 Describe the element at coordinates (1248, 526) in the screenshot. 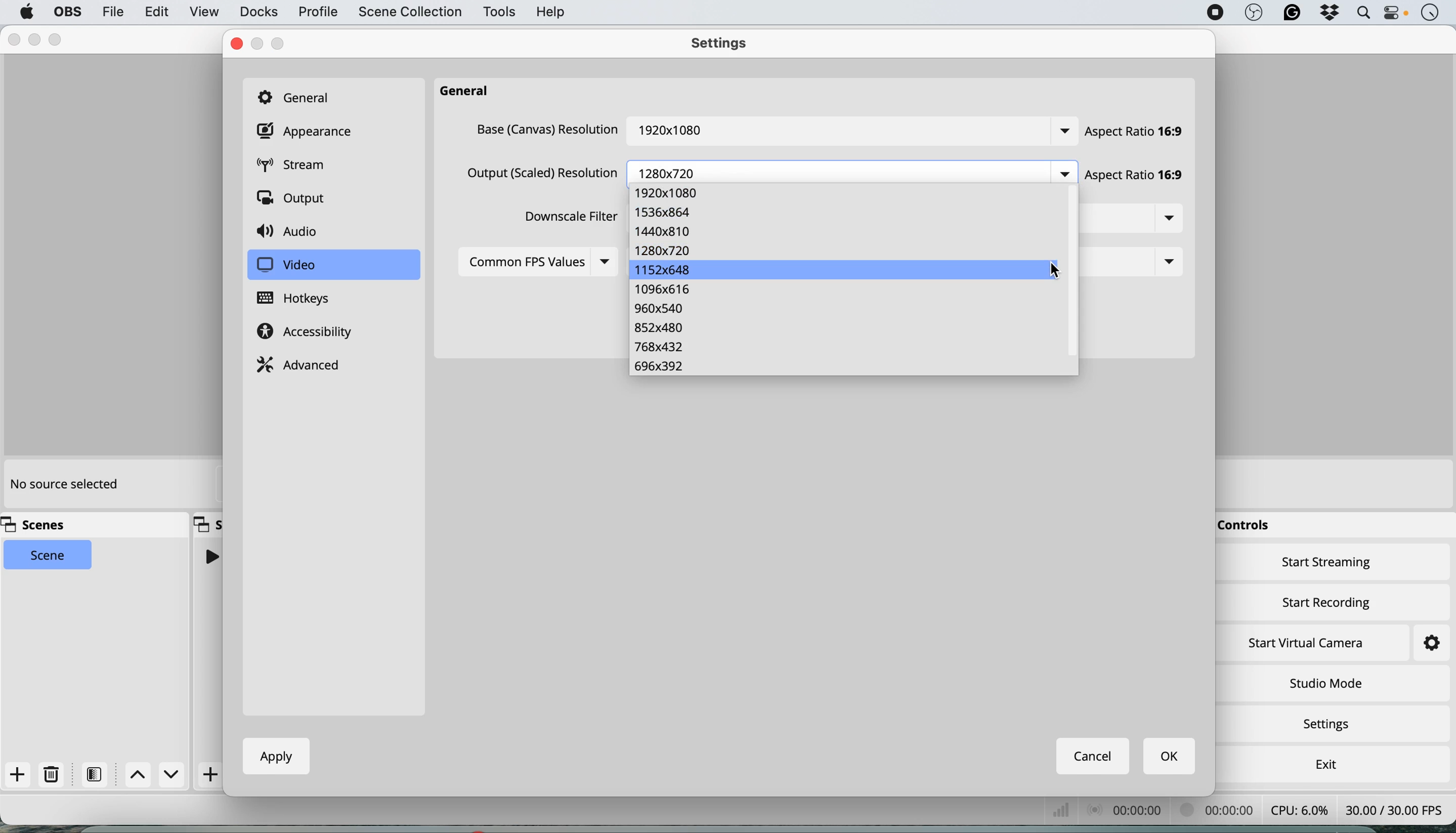

I see `controls` at that location.